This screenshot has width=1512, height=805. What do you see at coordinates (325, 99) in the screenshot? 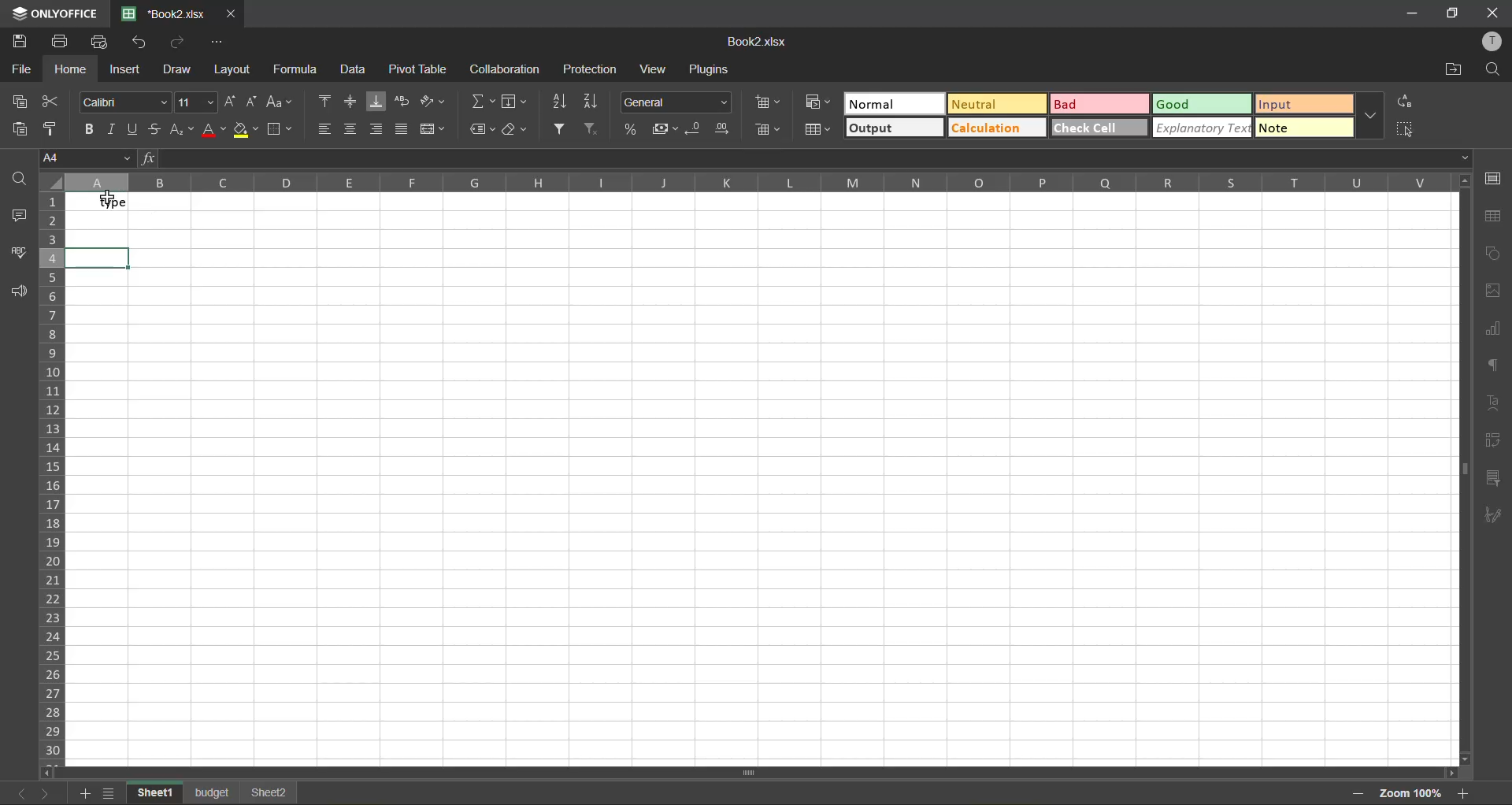
I see `align top` at bounding box center [325, 99].